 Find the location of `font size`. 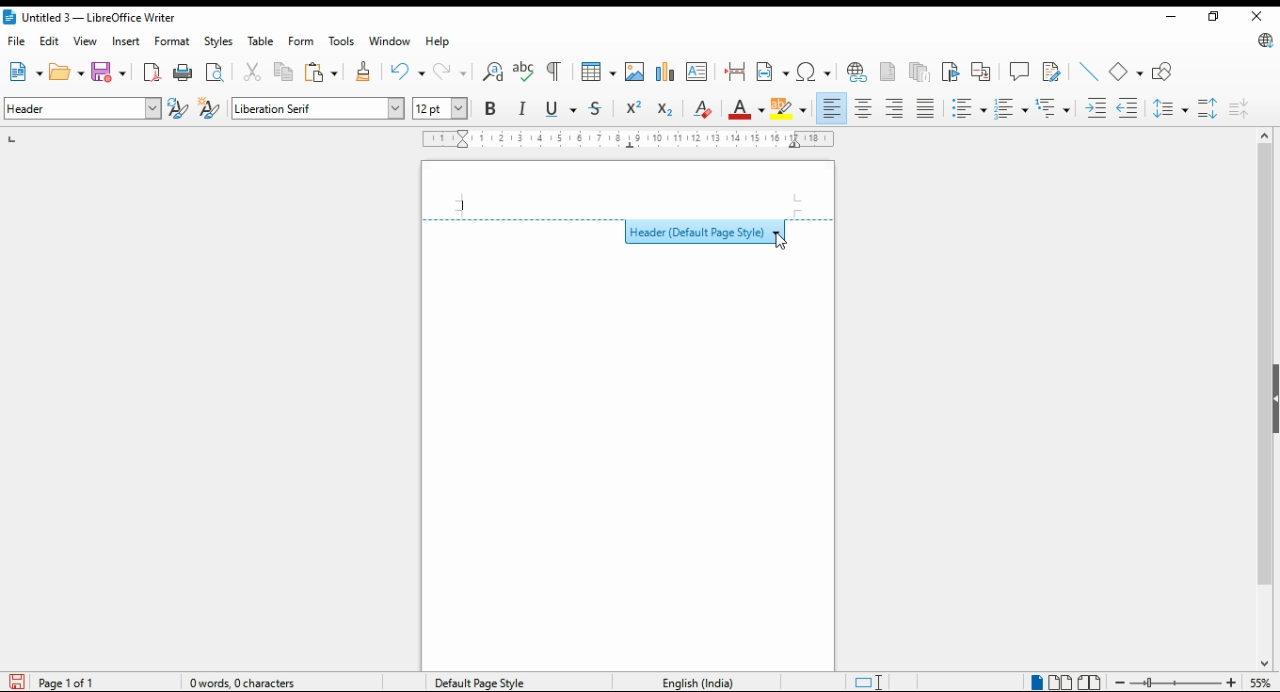

font size is located at coordinates (442, 108).